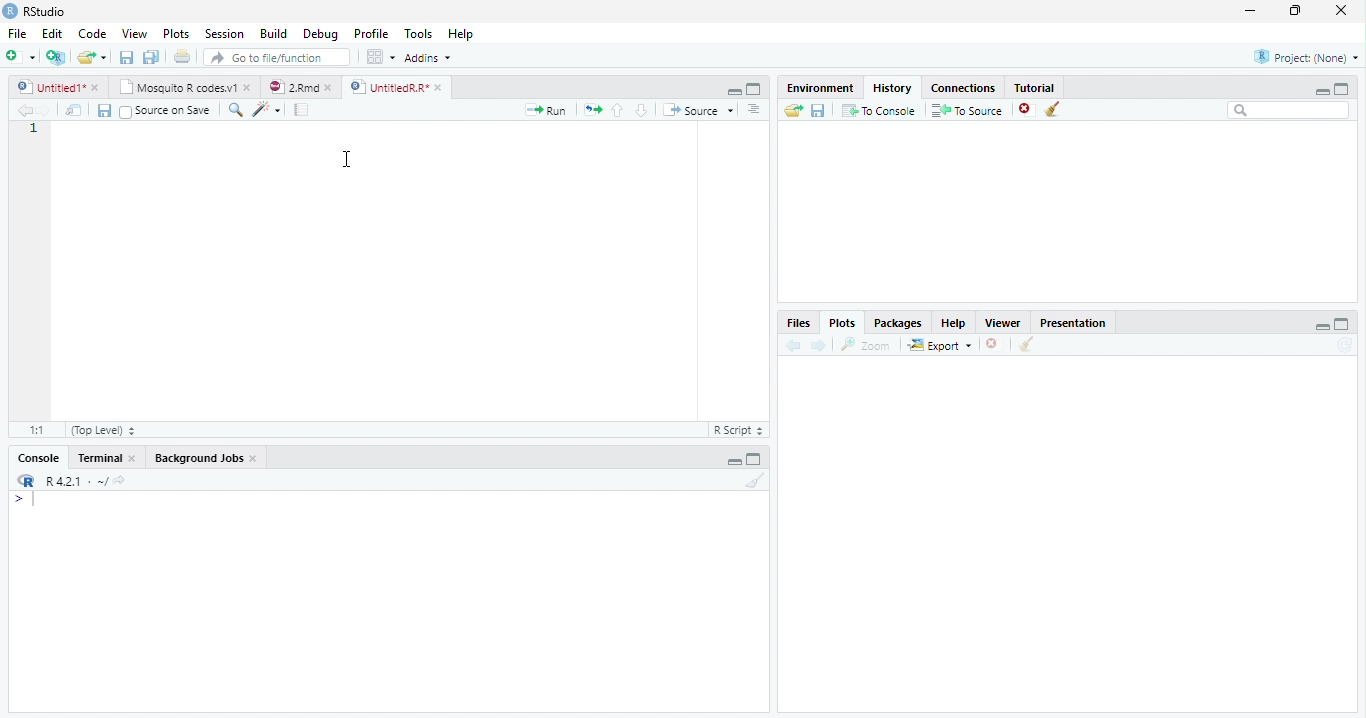 The width and height of the screenshot is (1366, 718). What do you see at coordinates (94, 33) in the screenshot?
I see `Code` at bounding box center [94, 33].